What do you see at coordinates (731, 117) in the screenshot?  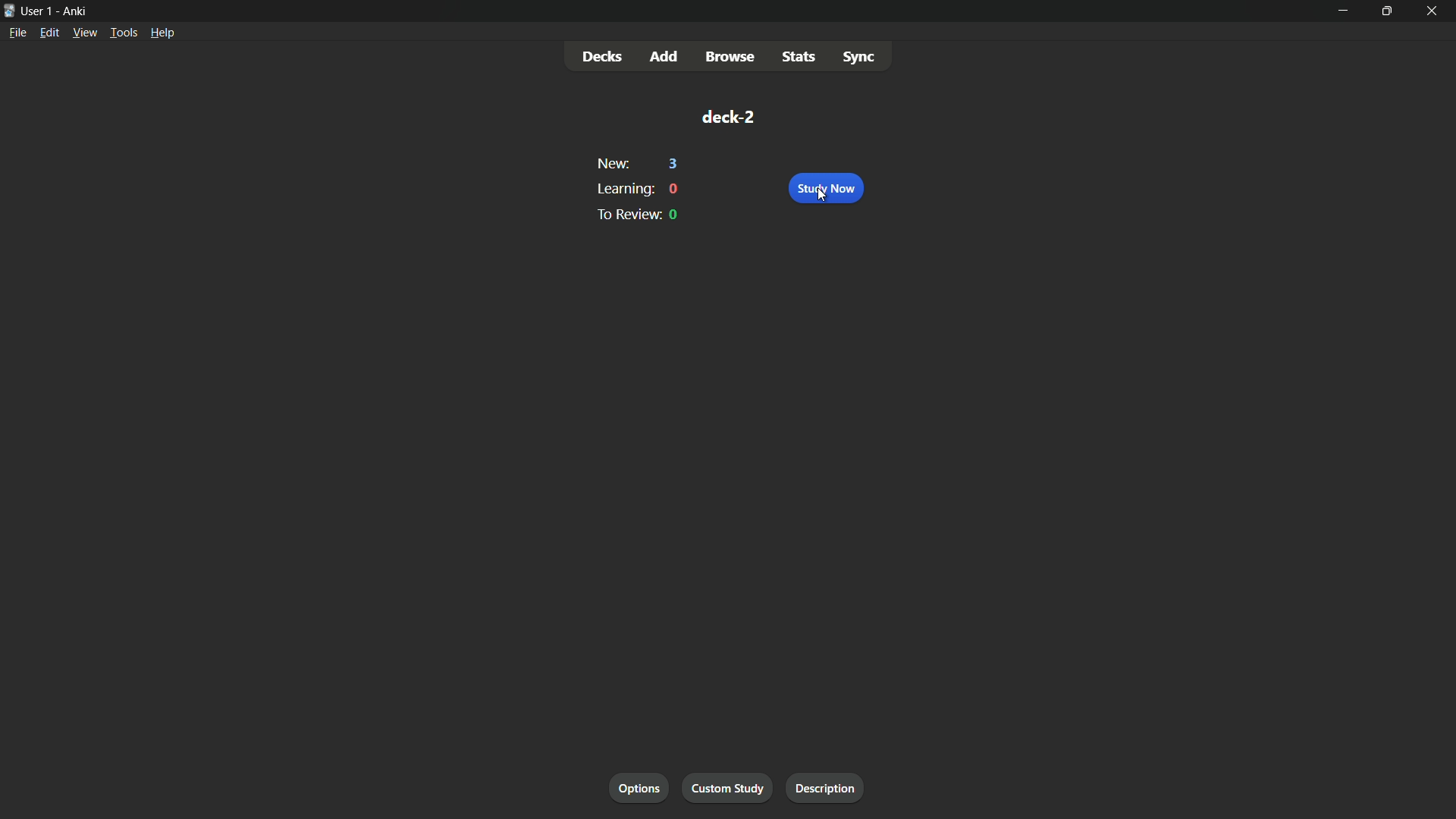 I see `deck-2` at bounding box center [731, 117].